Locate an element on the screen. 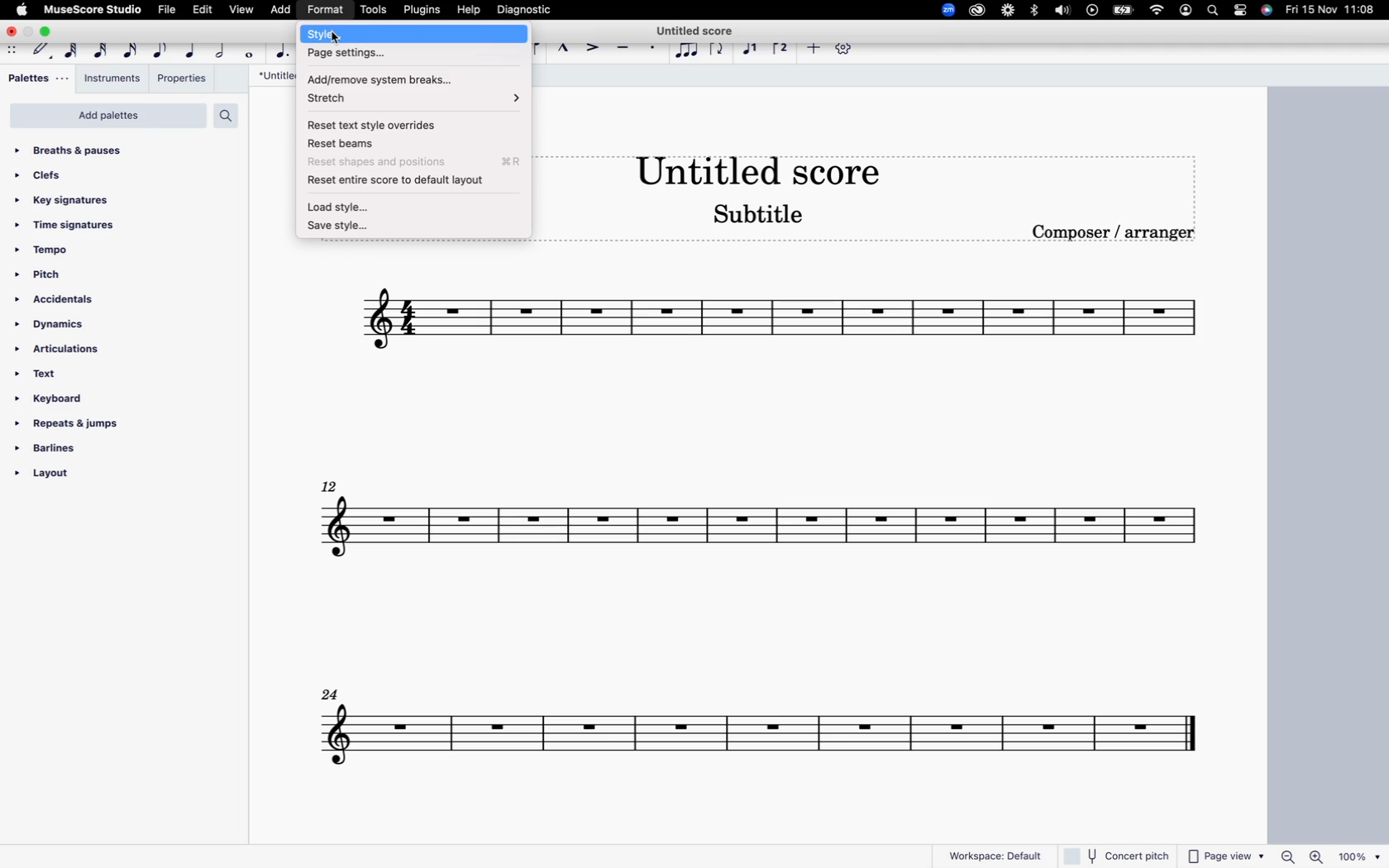 The width and height of the screenshot is (1389, 868). workspace is located at coordinates (998, 856).